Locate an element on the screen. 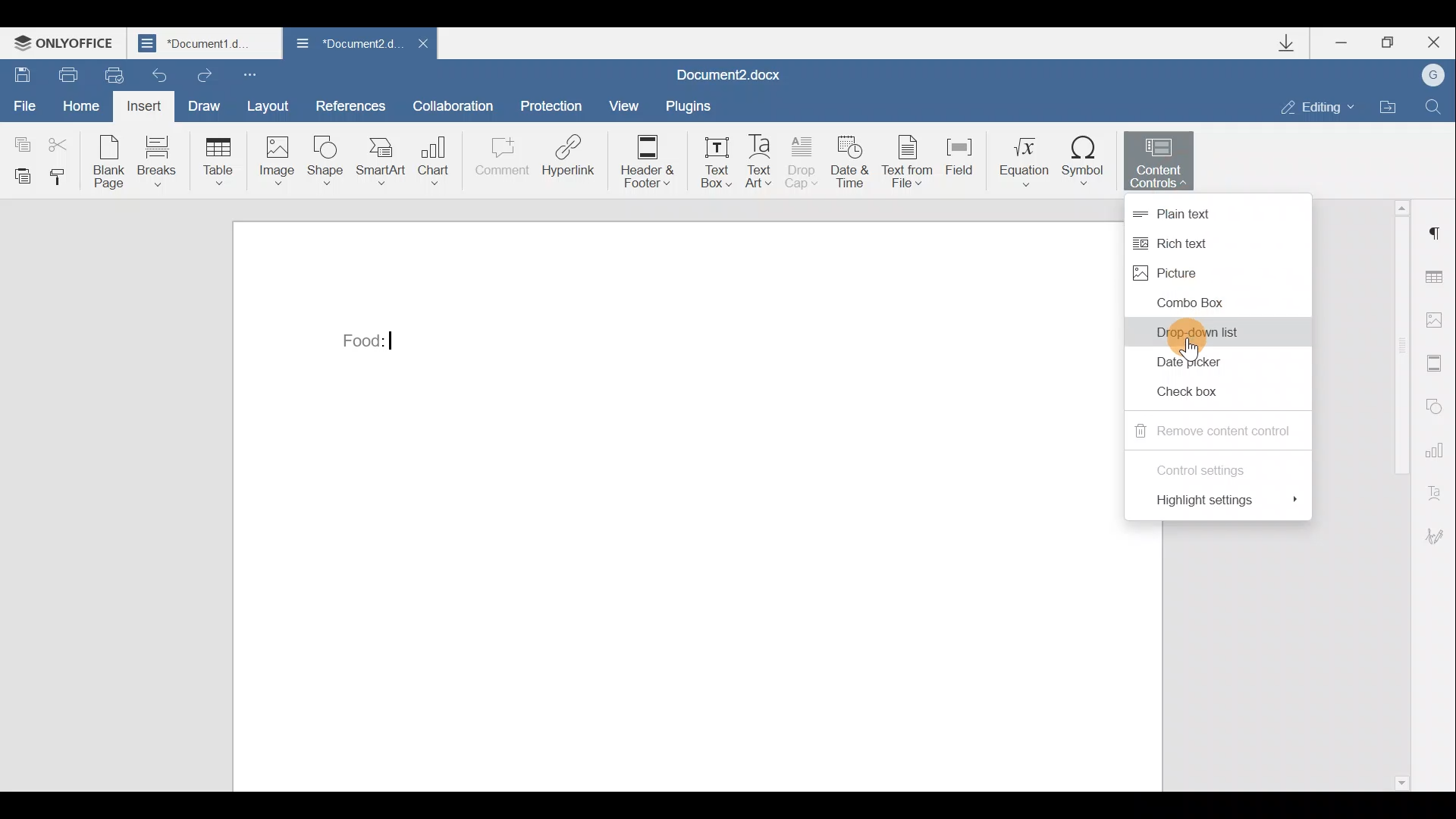 The height and width of the screenshot is (819, 1456). Chart settings is located at coordinates (1437, 448).